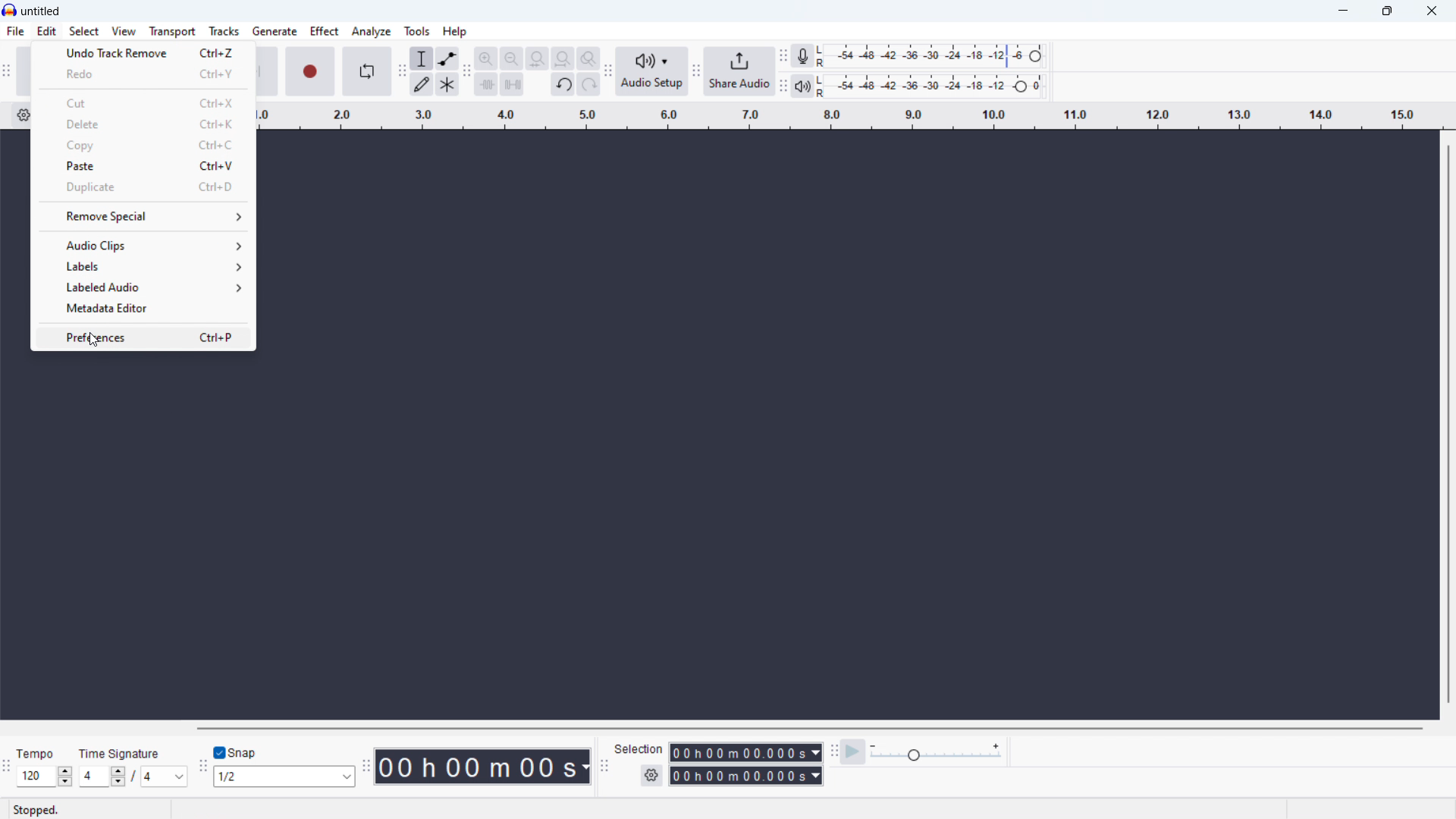  Describe the element at coordinates (696, 72) in the screenshot. I see `share audio toolbar` at that location.